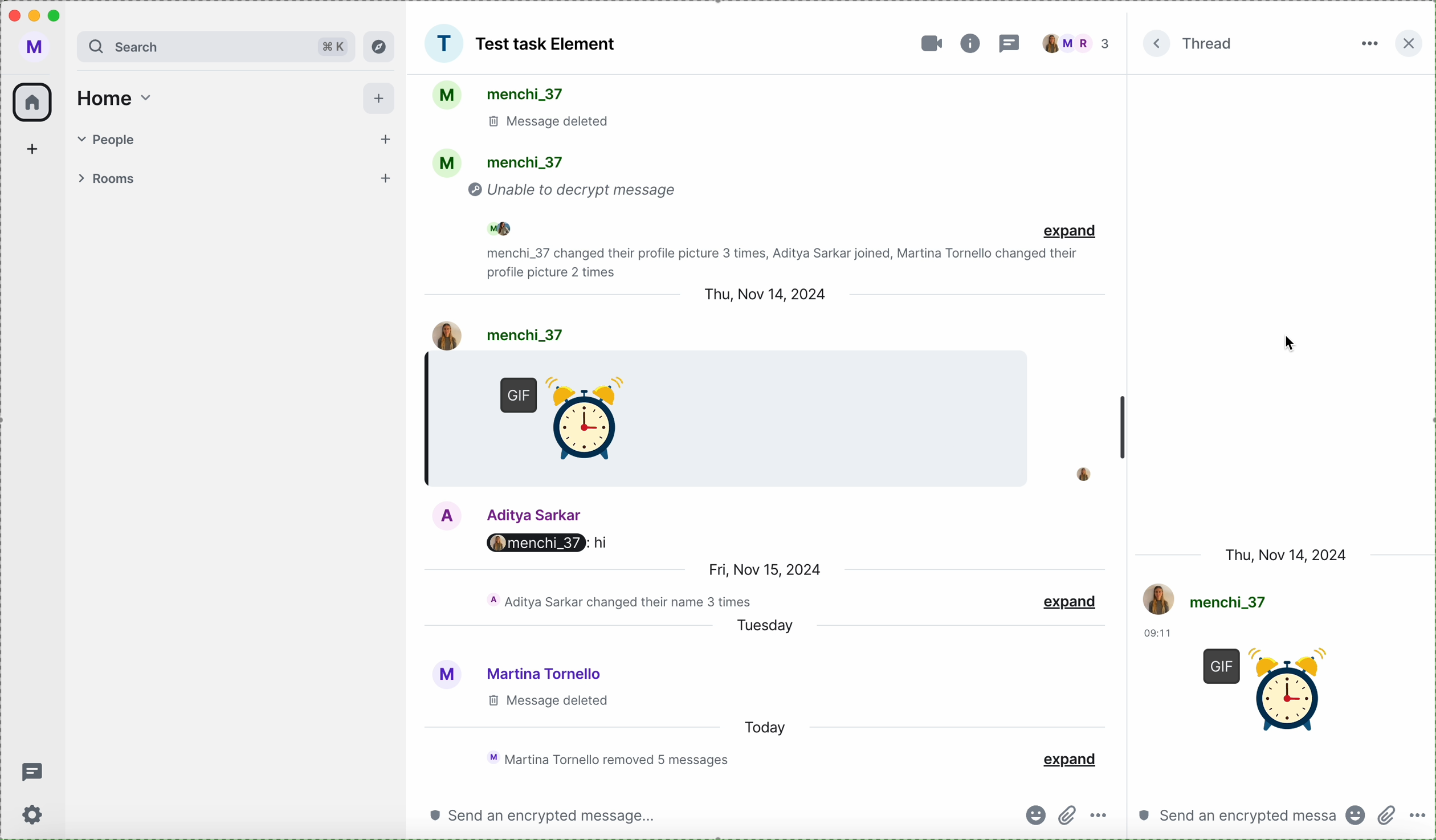 Image resolution: width=1436 pixels, height=840 pixels. What do you see at coordinates (1011, 43) in the screenshot?
I see `threads` at bounding box center [1011, 43].